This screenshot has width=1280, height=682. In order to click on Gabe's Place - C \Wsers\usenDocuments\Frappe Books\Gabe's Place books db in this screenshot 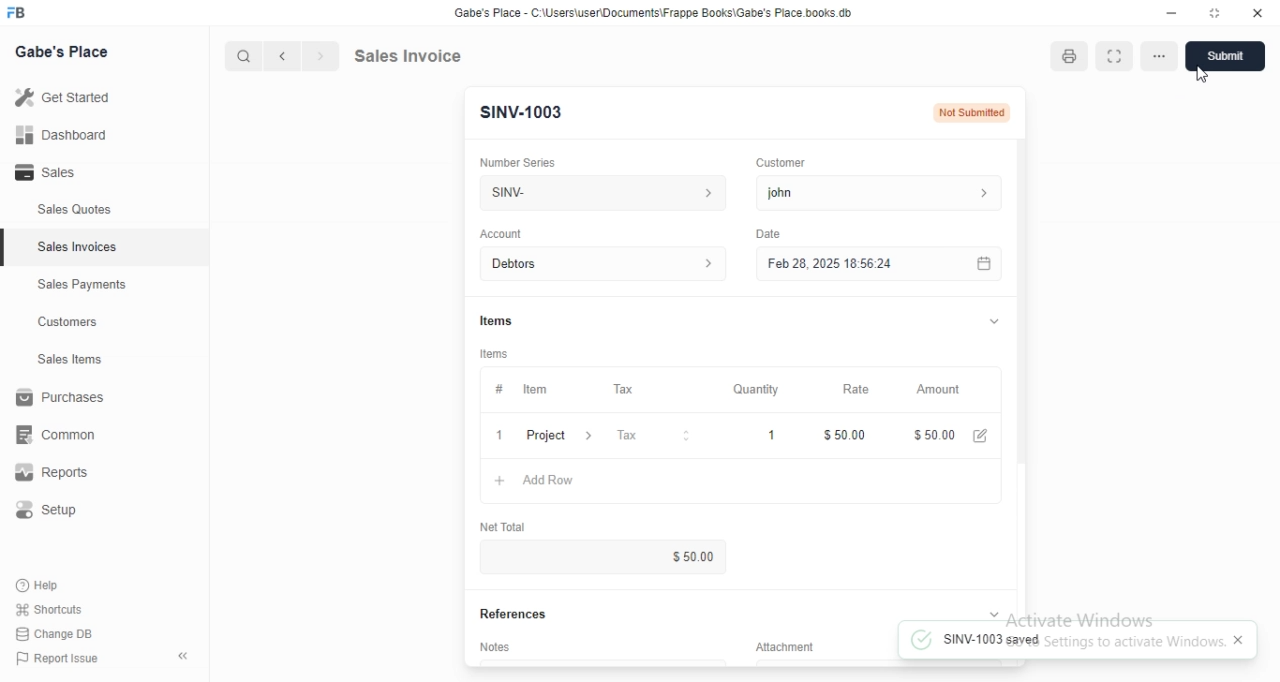, I will do `click(658, 16)`.